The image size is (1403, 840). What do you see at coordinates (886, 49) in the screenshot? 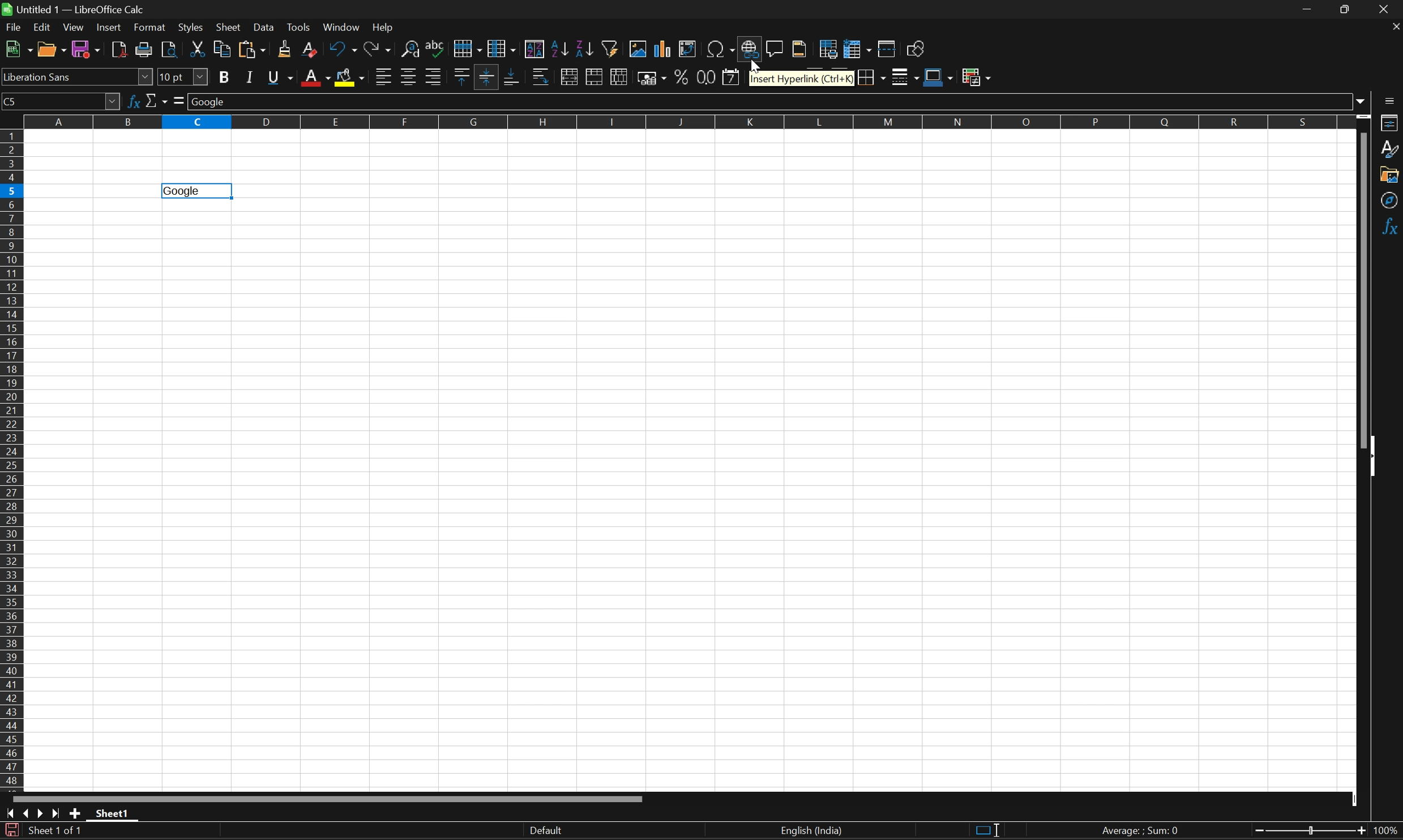
I see `Split window` at bounding box center [886, 49].